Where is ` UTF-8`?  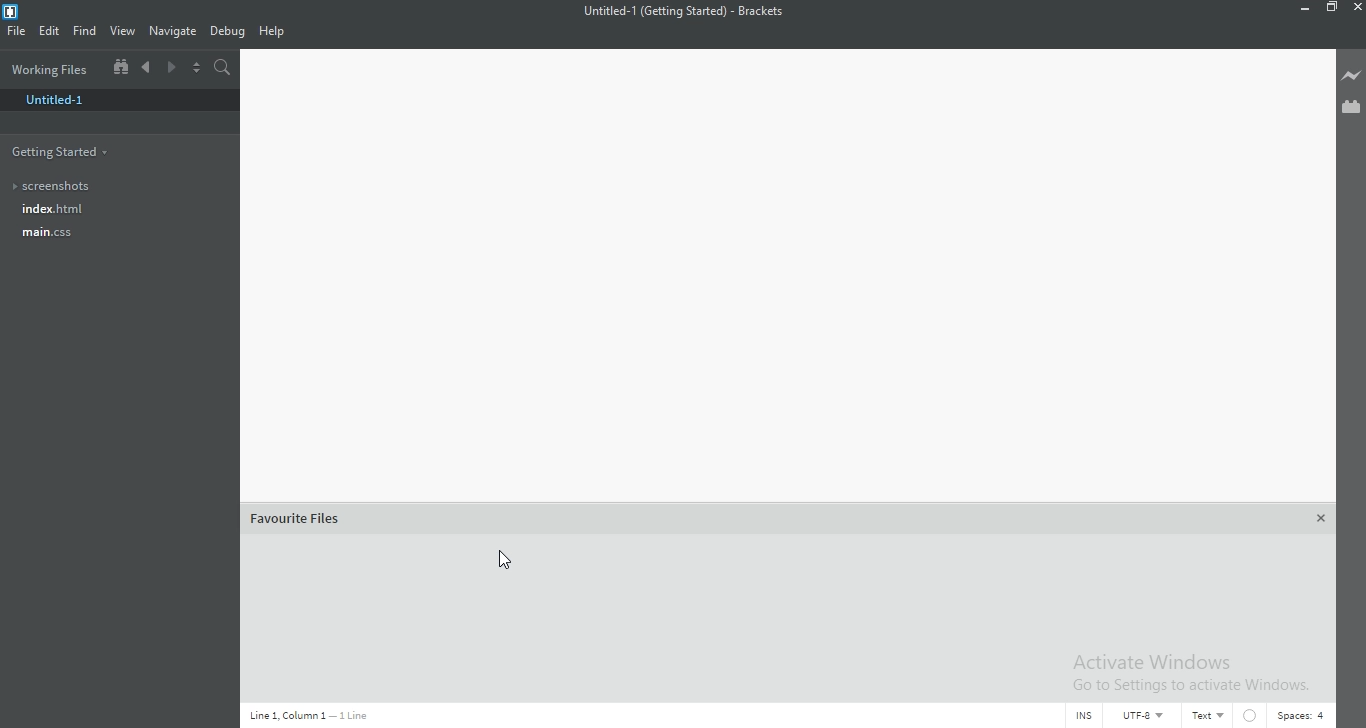  UTF-8 is located at coordinates (1146, 714).